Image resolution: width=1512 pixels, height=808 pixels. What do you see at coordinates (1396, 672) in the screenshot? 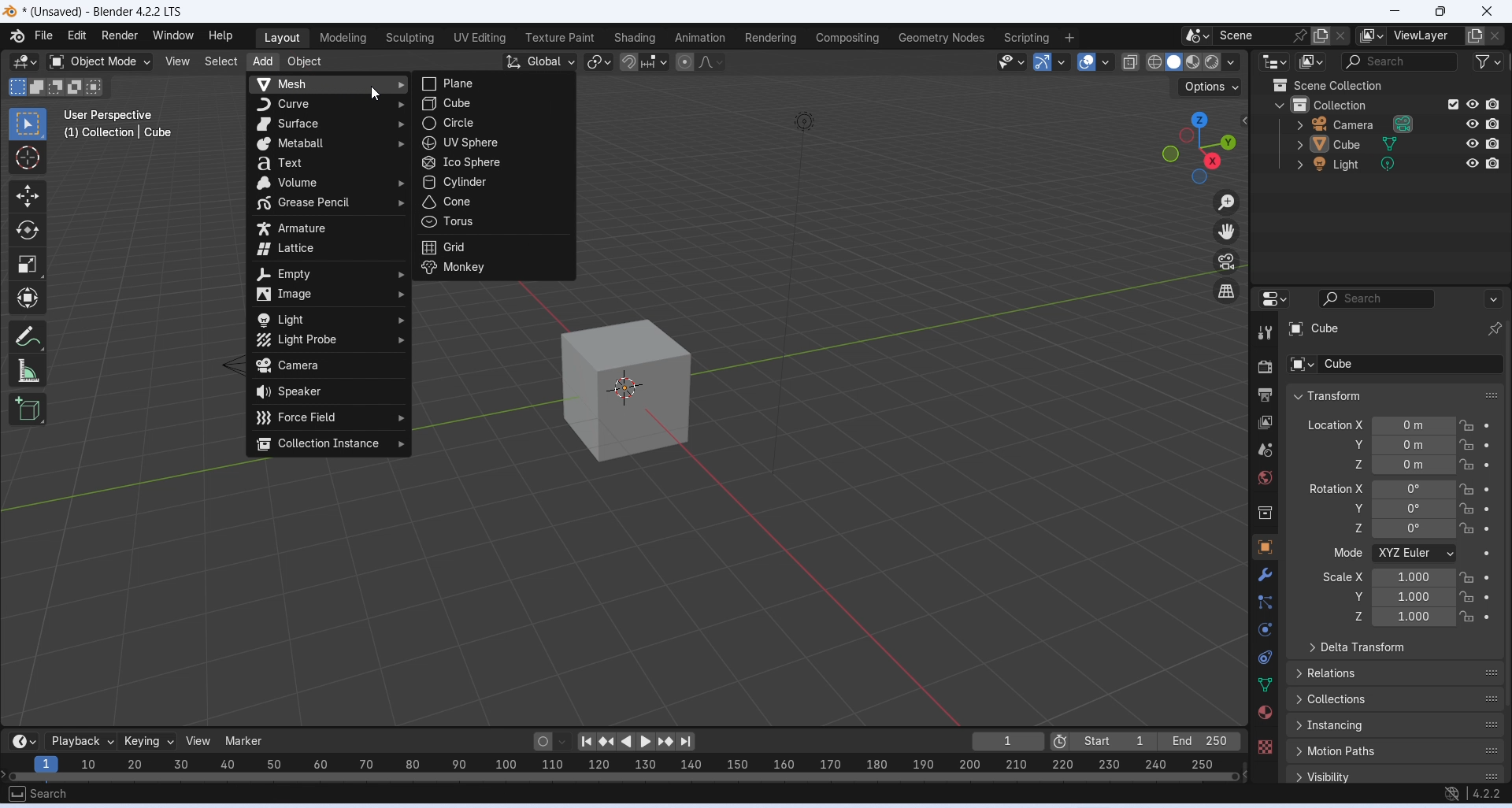
I see `relations` at bounding box center [1396, 672].